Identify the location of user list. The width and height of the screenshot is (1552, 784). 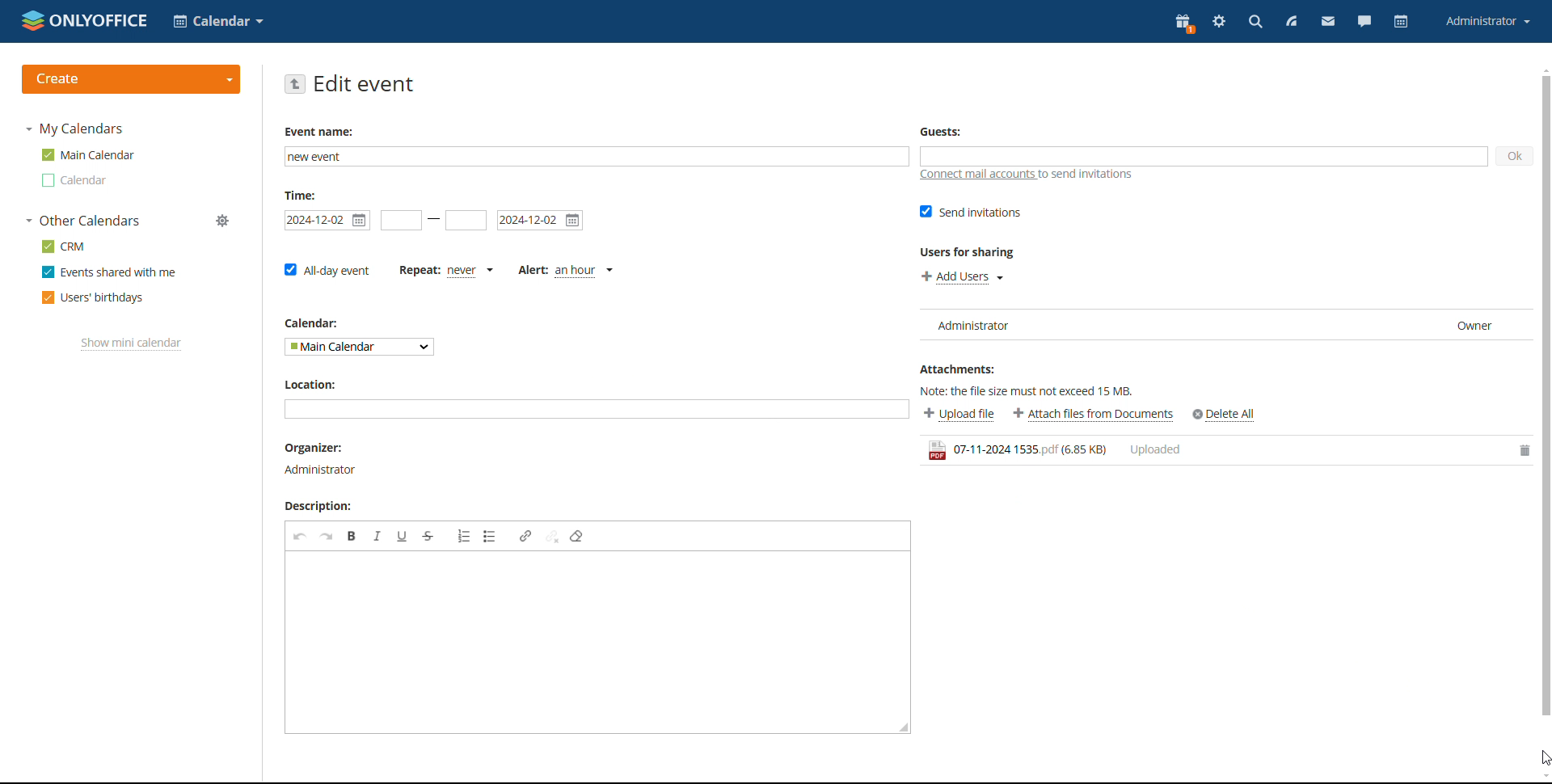
(1225, 325).